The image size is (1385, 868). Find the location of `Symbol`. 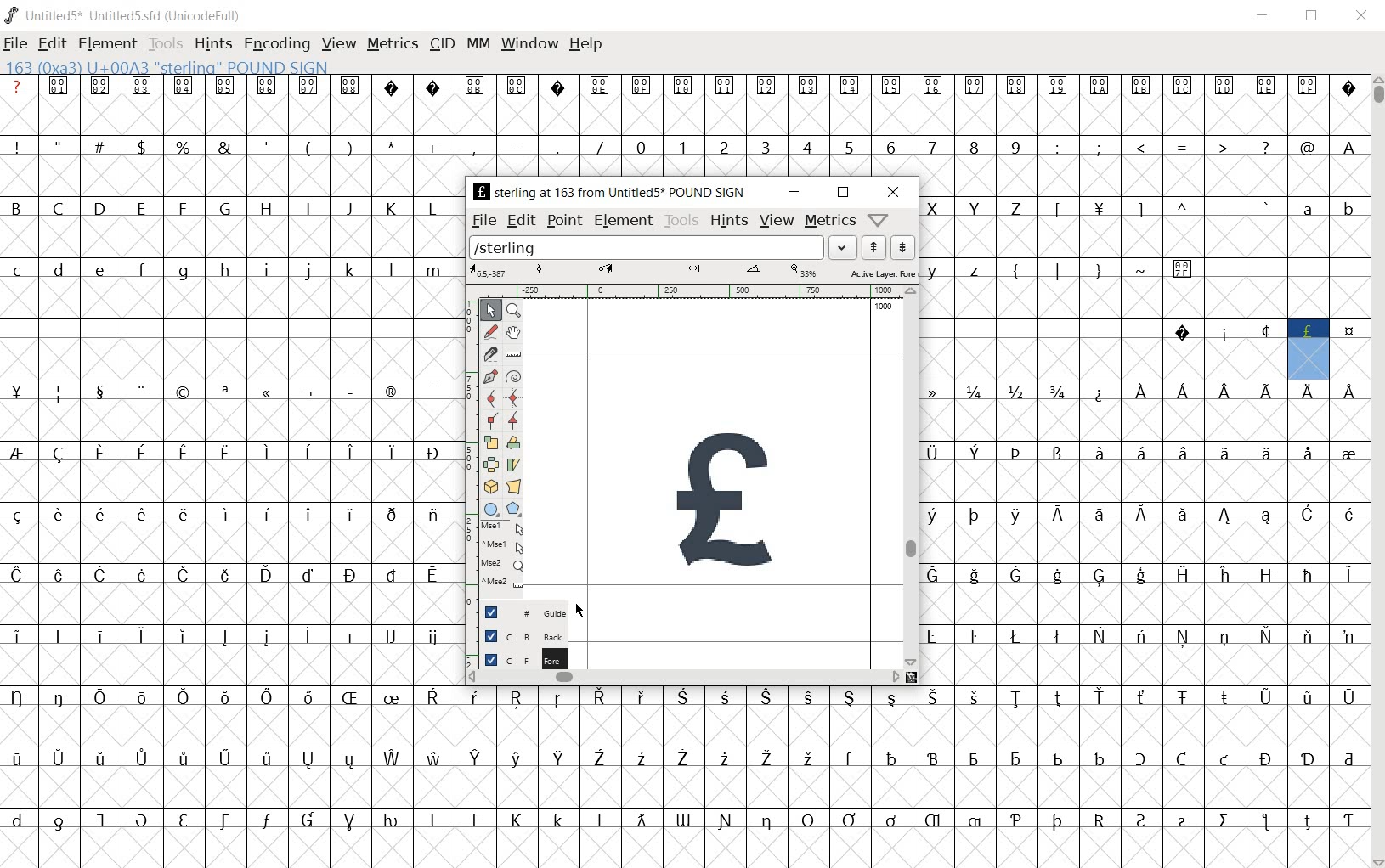

Symbol is located at coordinates (477, 758).